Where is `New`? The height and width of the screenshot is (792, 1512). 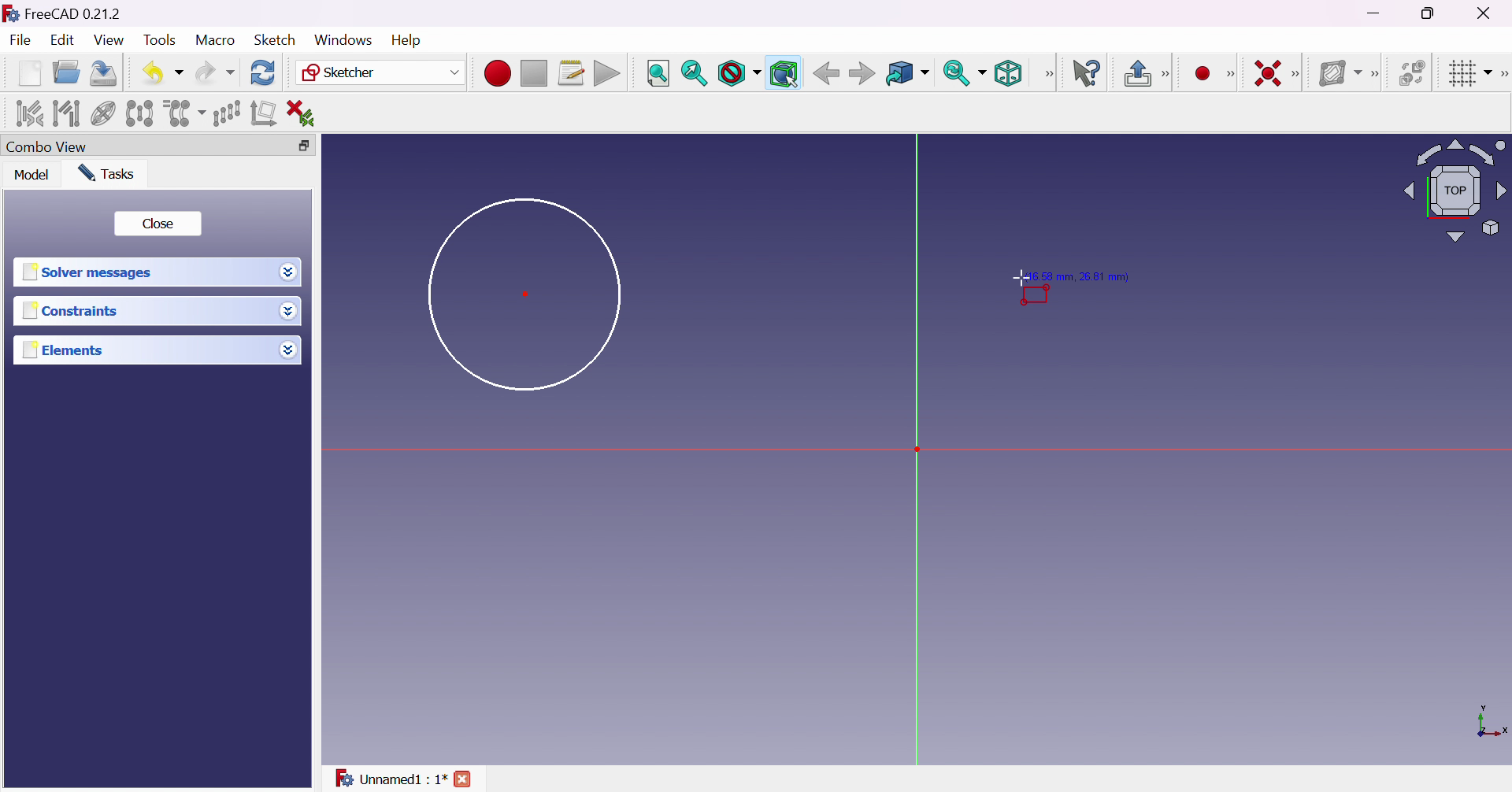
New is located at coordinates (30, 72).